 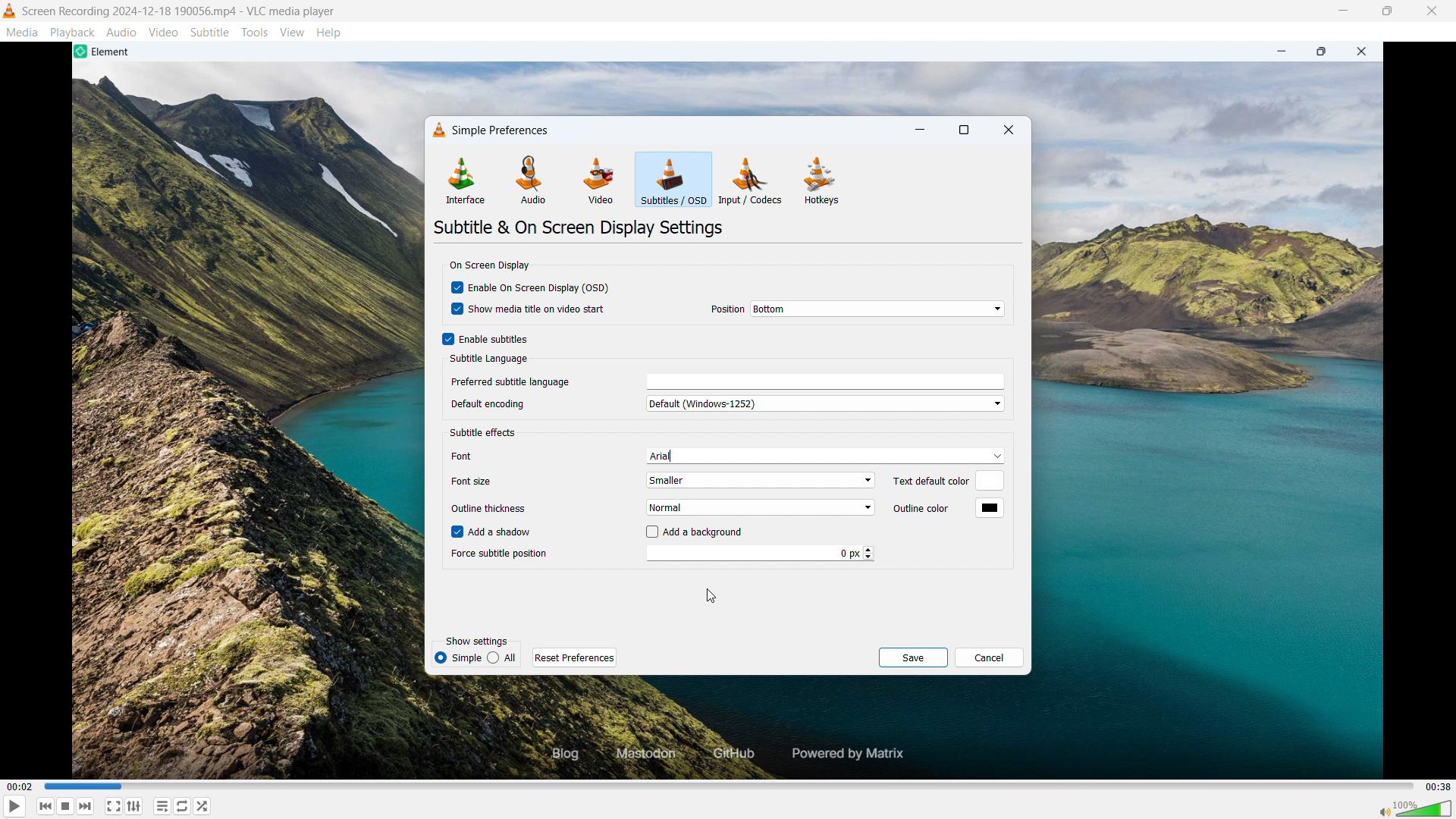 What do you see at coordinates (500, 554) in the screenshot?
I see `Force subtitle position` at bounding box center [500, 554].